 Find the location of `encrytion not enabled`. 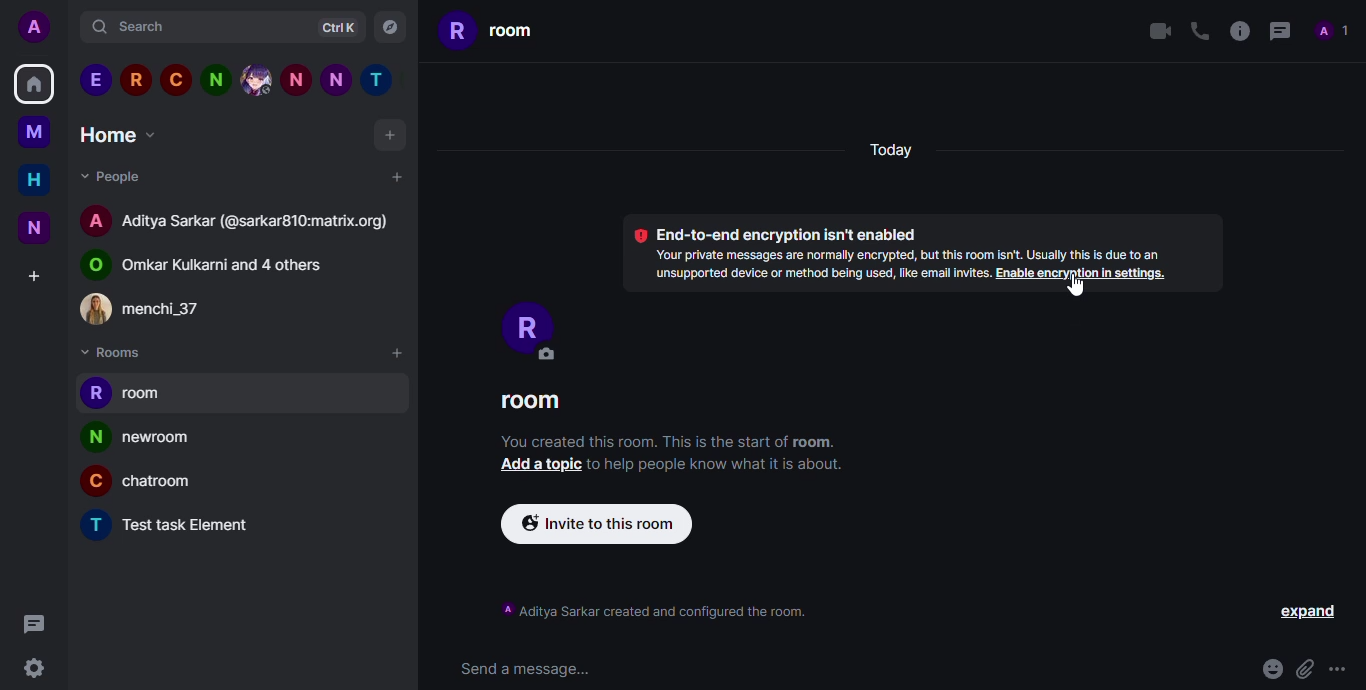

encrytion not enabled is located at coordinates (780, 234).